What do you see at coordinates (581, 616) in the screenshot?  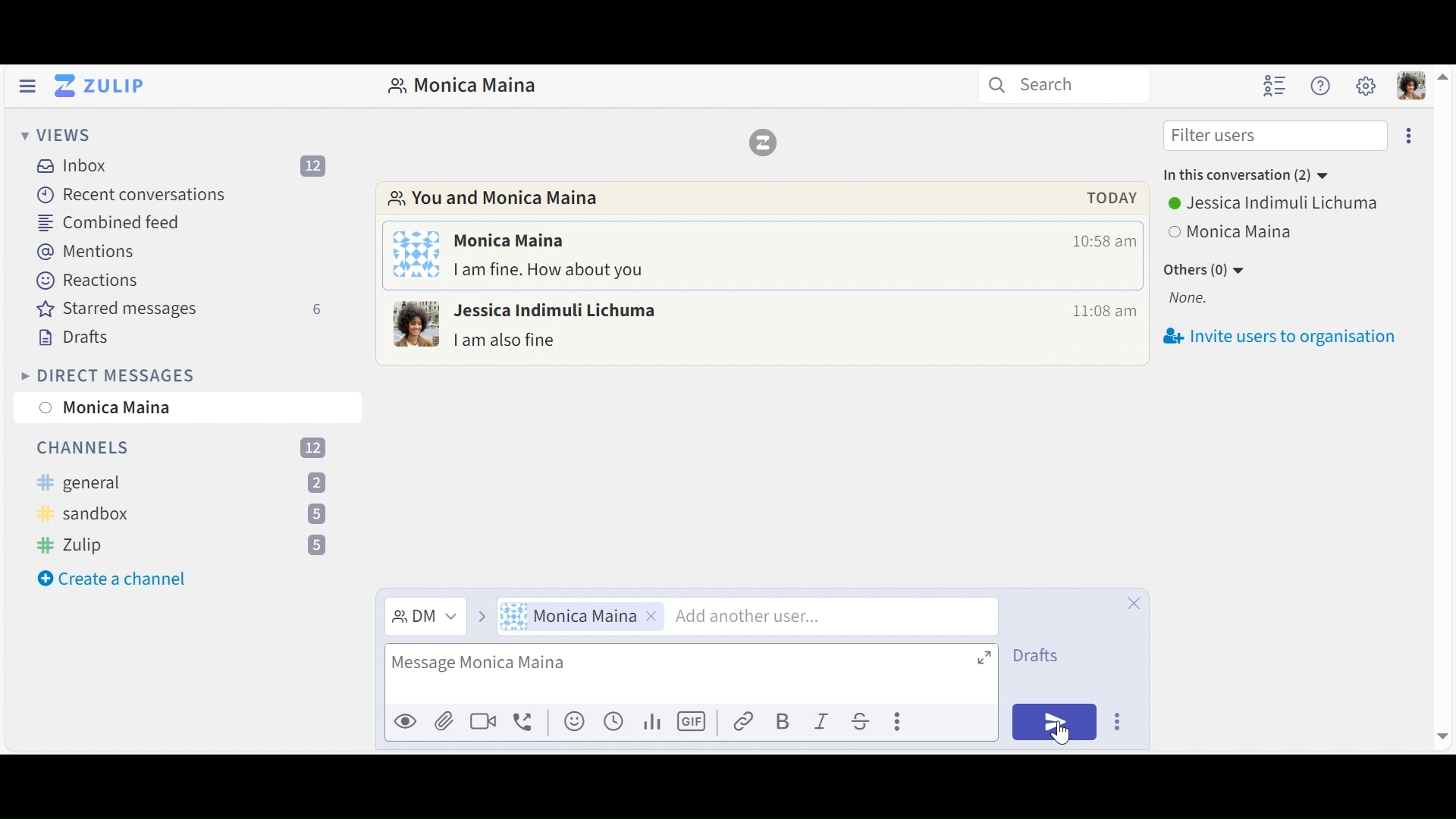 I see `User` at bounding box center [581, 616].